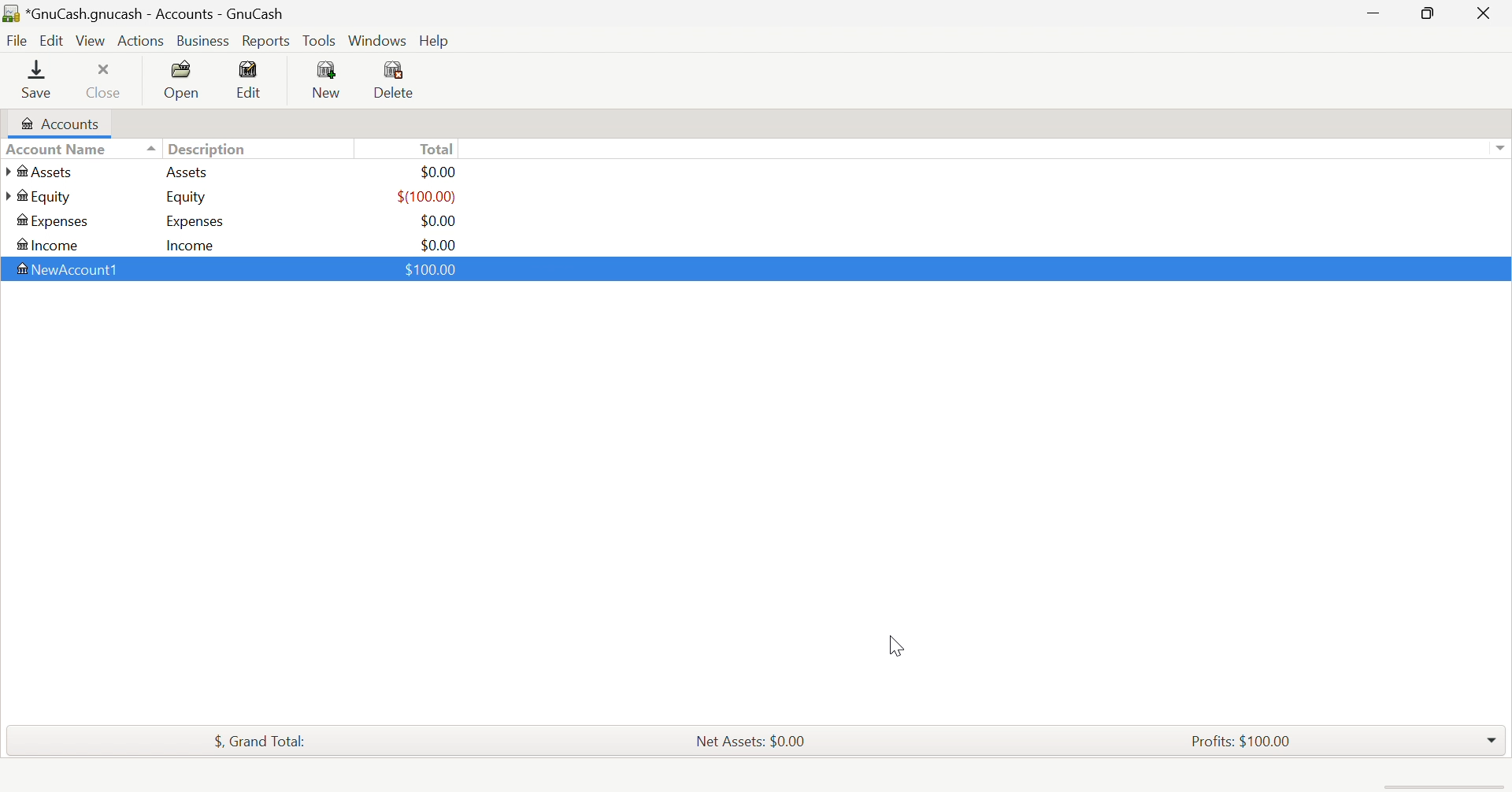 This screenshot has height=792, width=1512. Describe the element at coordinates (142, 41) in the screenshot. I see `Actions` at that location.